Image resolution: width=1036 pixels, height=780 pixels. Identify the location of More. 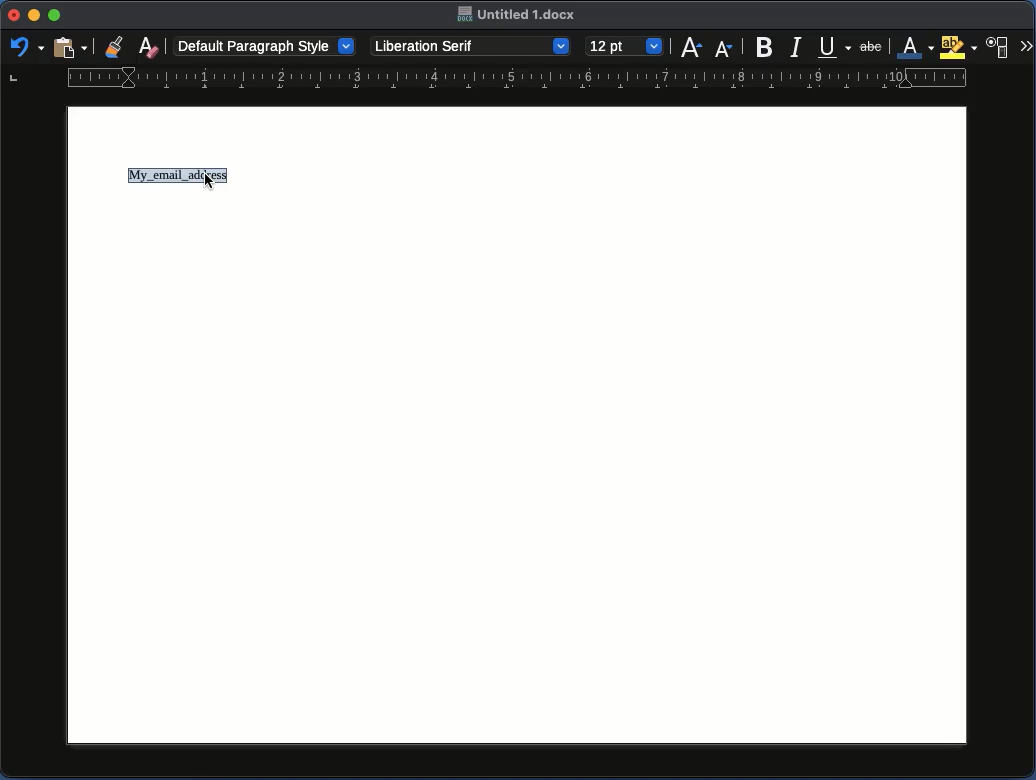
(1026, 44).